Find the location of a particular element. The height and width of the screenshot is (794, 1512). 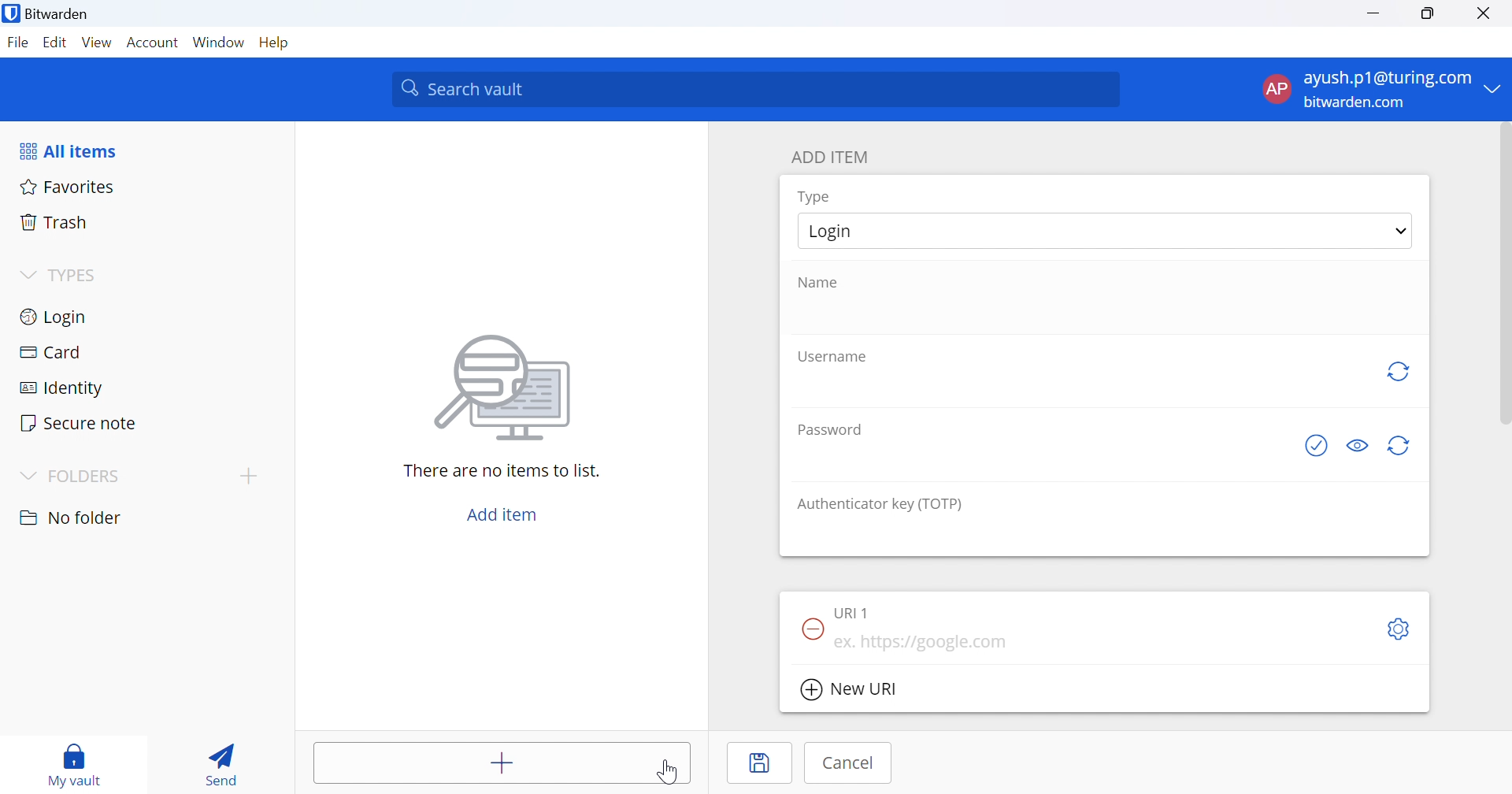

ayush.p1@turing.com is located at coordinates (1388, 78).